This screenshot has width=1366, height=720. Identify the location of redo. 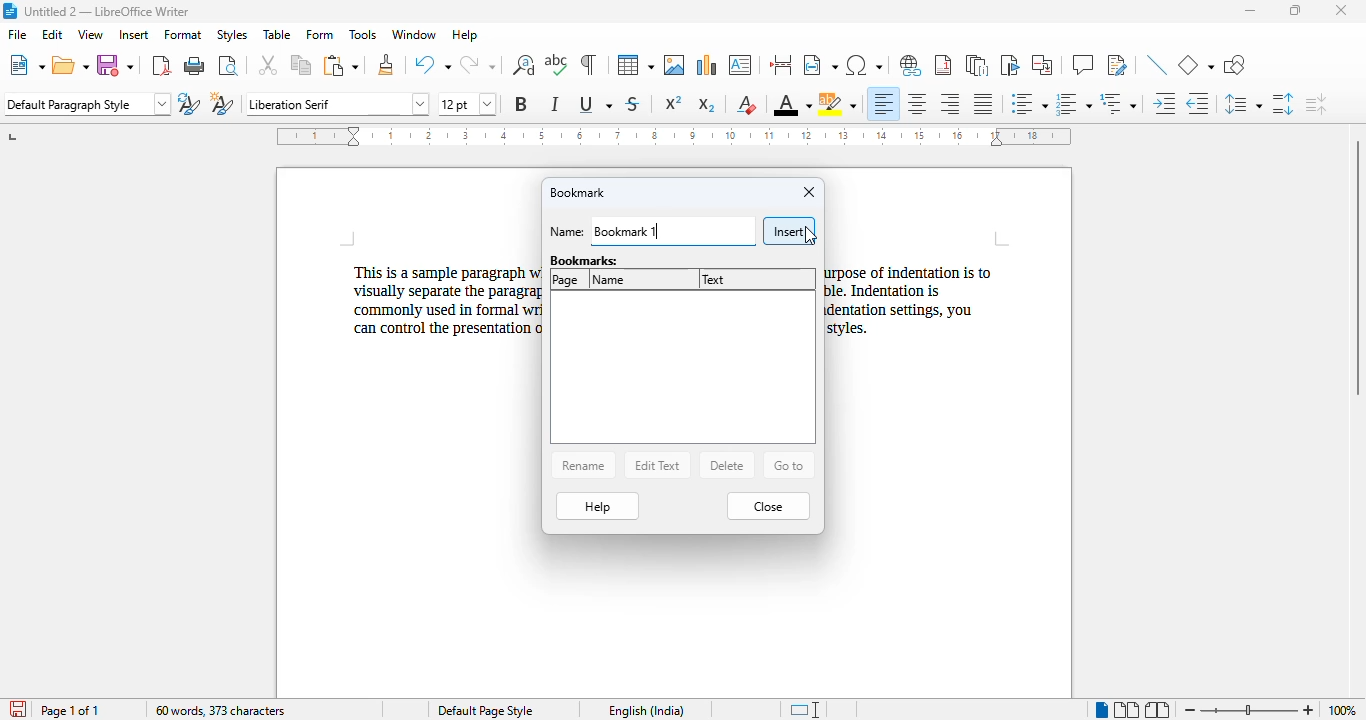
(477, 64).